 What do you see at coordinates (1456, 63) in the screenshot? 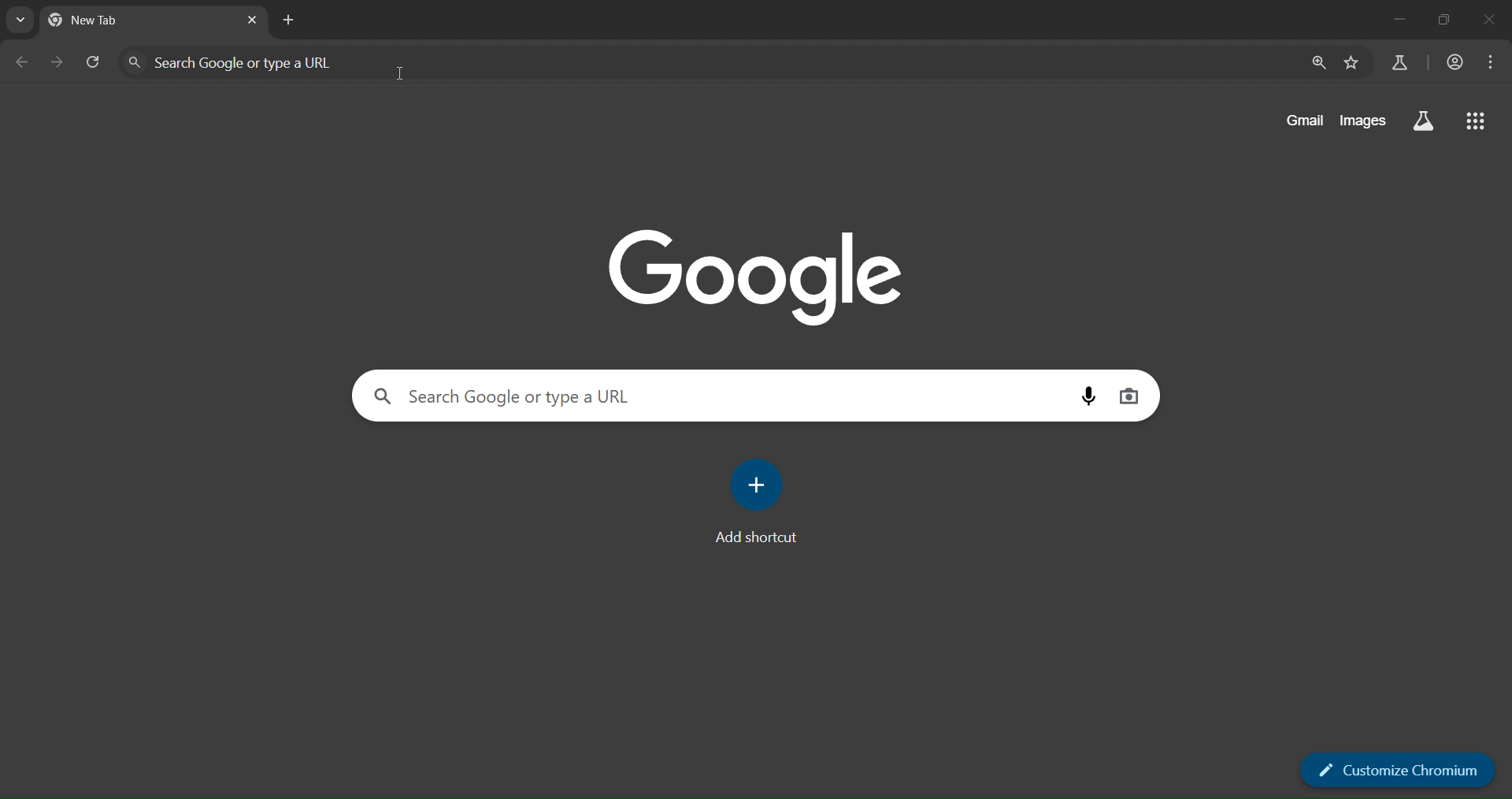
I see `accounts` at bounding box center [1456, 63].